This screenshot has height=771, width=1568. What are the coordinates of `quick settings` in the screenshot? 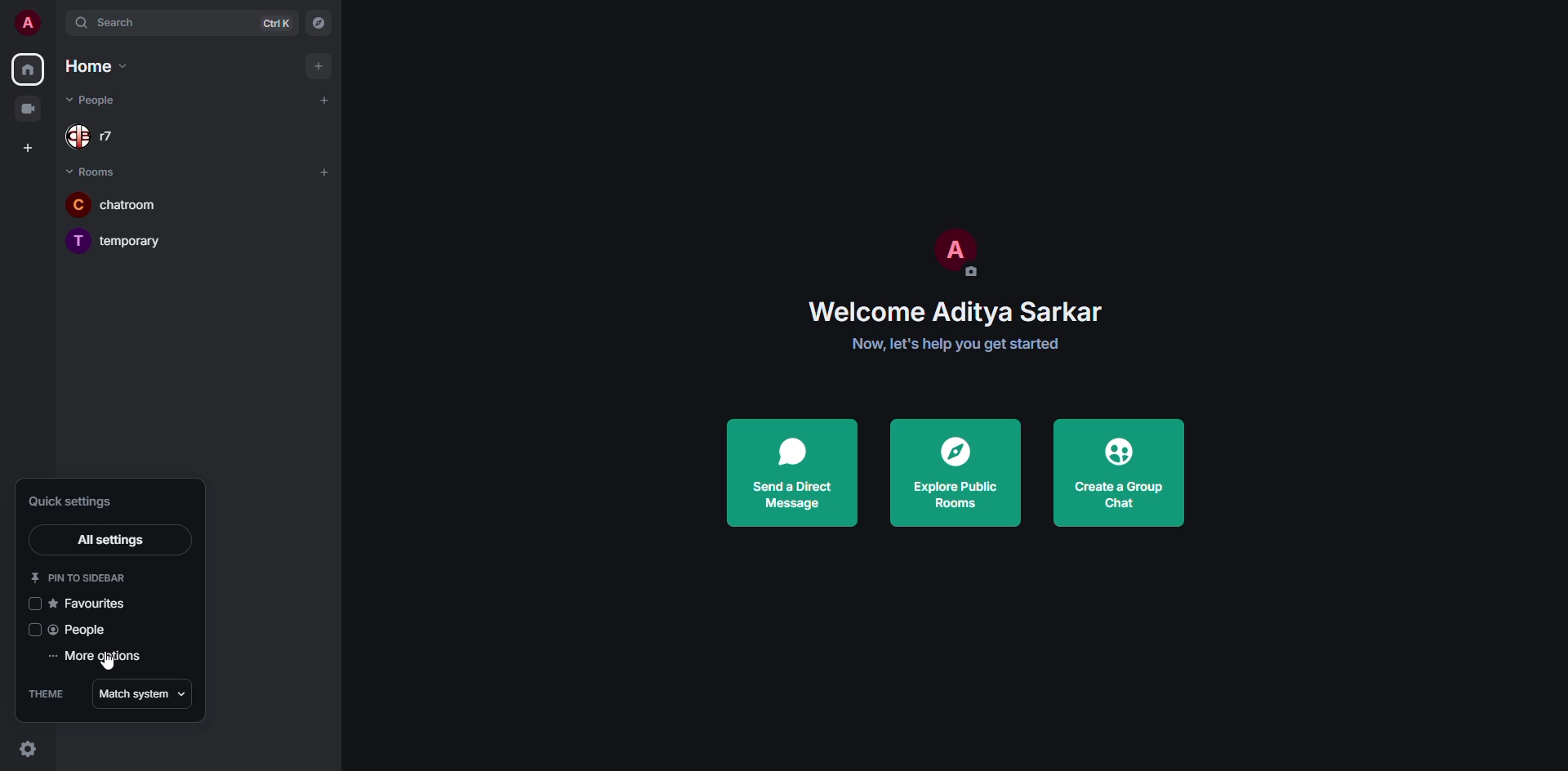 It's located at (69, 501).